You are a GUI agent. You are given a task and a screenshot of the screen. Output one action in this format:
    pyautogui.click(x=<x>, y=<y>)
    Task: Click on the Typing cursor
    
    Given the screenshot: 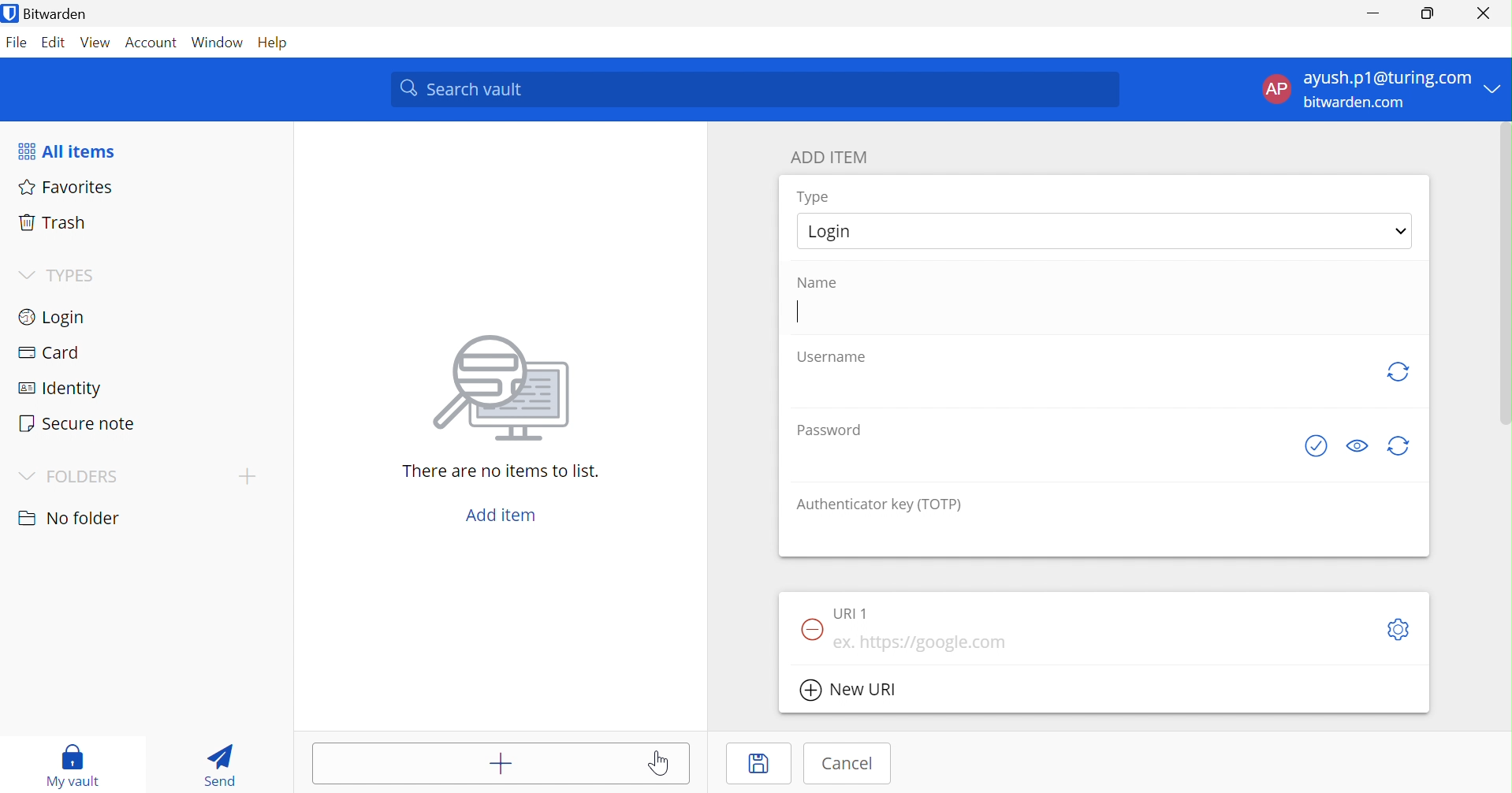 What is the action you would take?
    pyautogui.click(x=798, y=311)
    